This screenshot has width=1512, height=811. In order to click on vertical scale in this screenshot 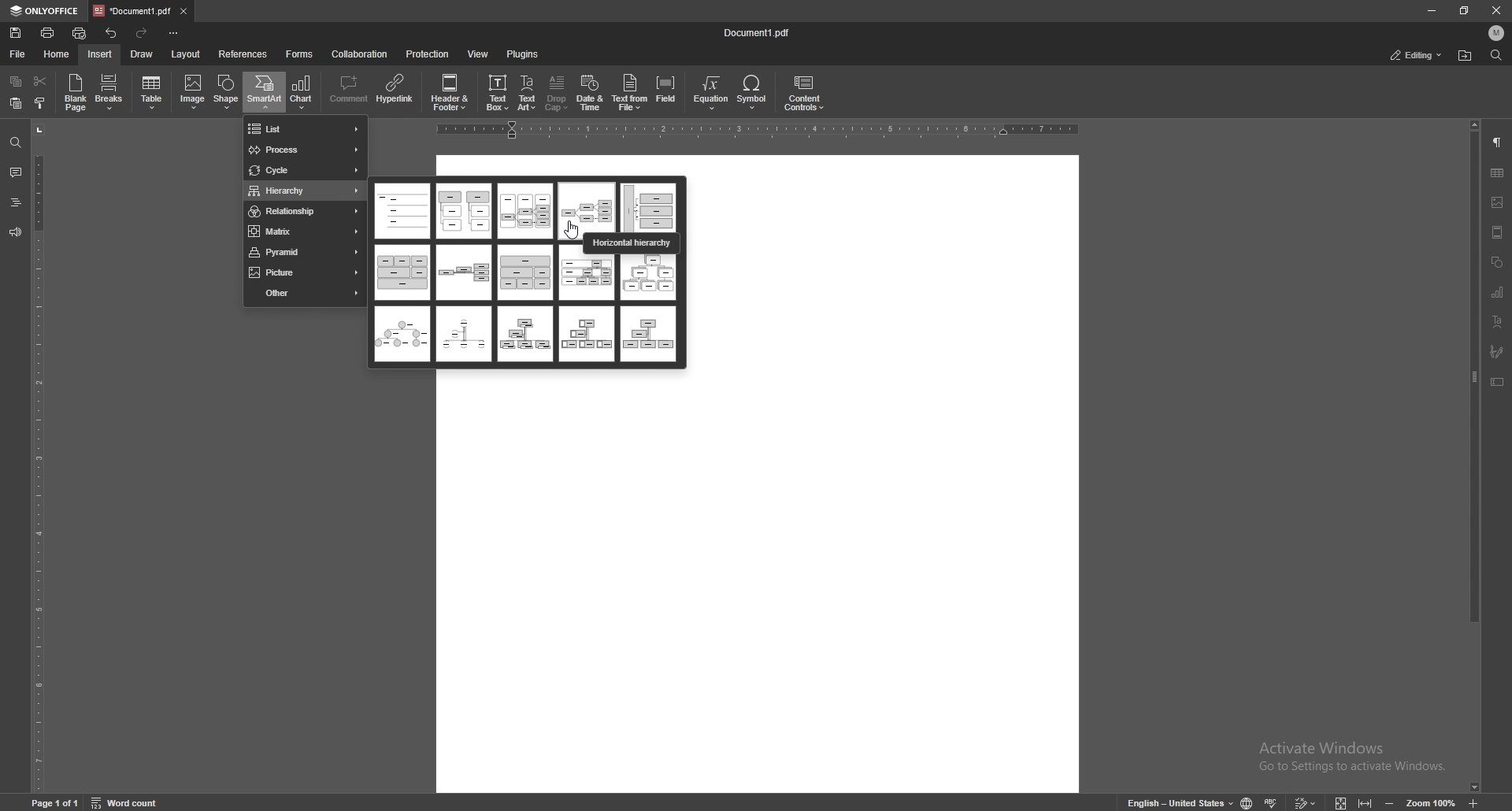, I will do `click(38, 456)`.